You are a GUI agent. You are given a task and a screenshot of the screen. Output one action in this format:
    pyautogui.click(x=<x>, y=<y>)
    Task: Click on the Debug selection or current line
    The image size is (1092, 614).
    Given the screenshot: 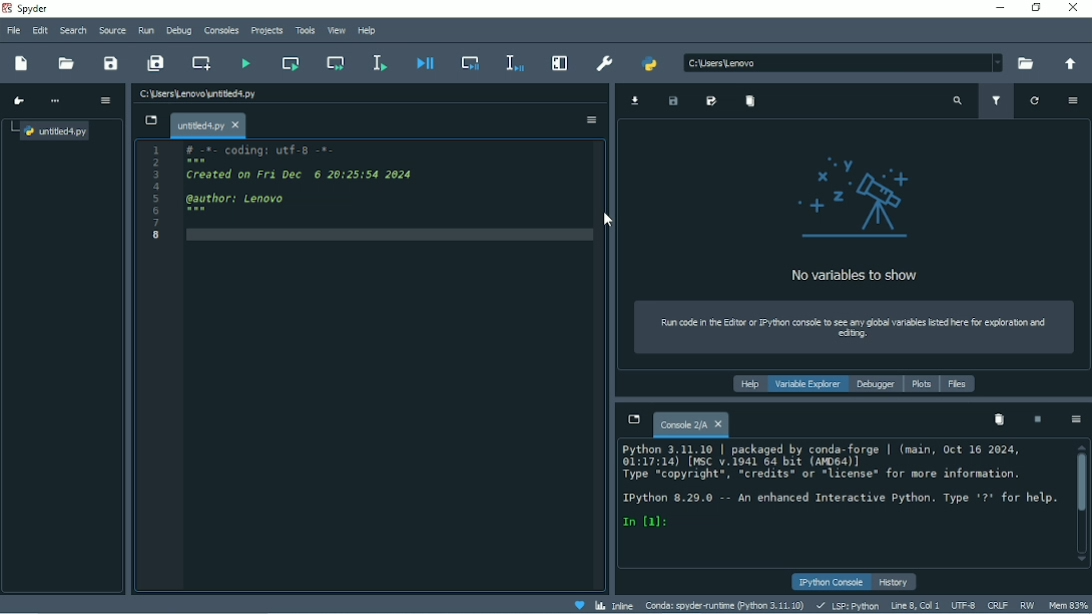 What is the action you would take?
    pyautogui.click(x=515, y=64)
    